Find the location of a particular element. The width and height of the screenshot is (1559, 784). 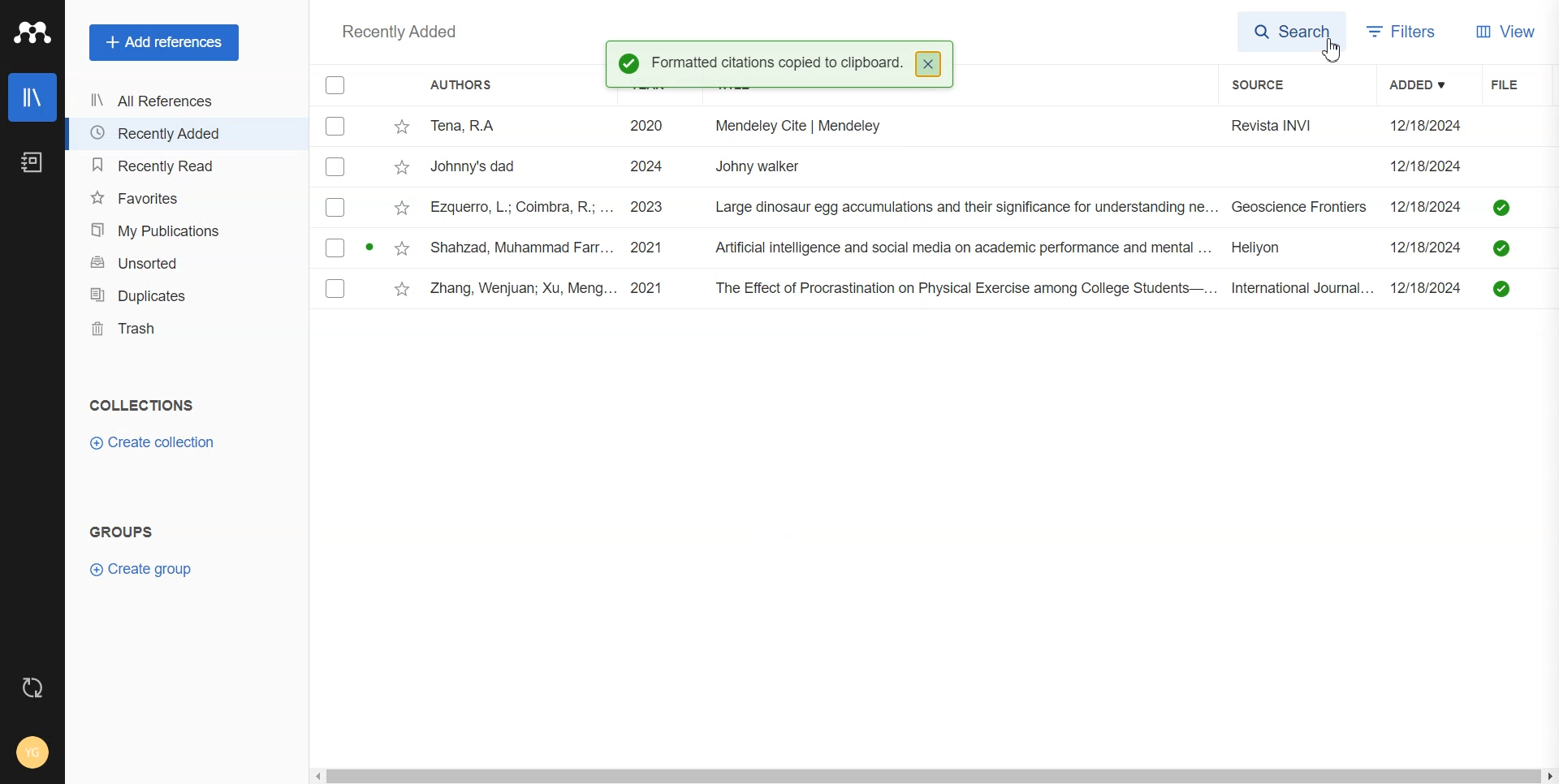

Success  is located at coordinates (628, 62).